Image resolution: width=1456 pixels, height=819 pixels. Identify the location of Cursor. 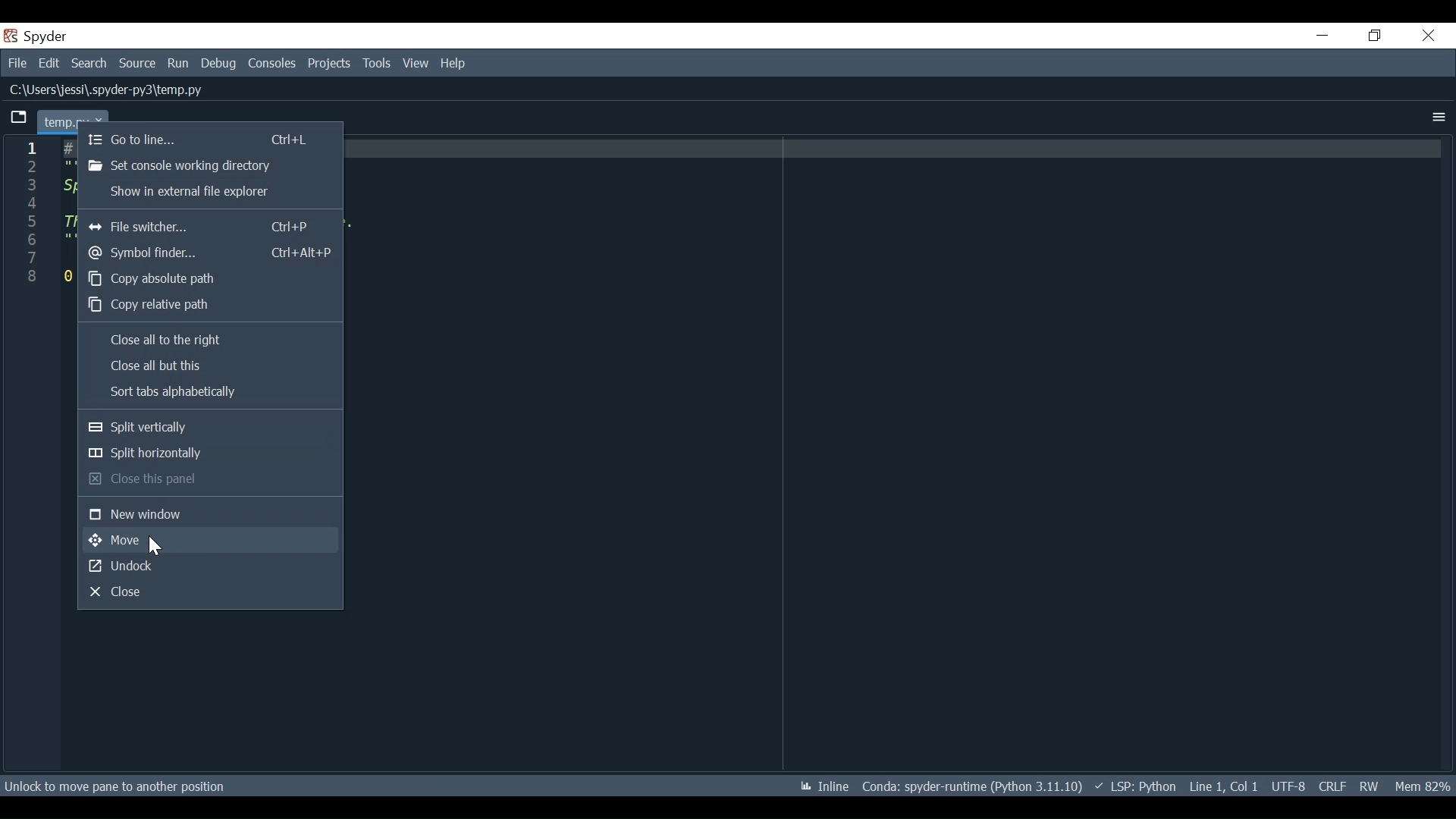
(156, 548).